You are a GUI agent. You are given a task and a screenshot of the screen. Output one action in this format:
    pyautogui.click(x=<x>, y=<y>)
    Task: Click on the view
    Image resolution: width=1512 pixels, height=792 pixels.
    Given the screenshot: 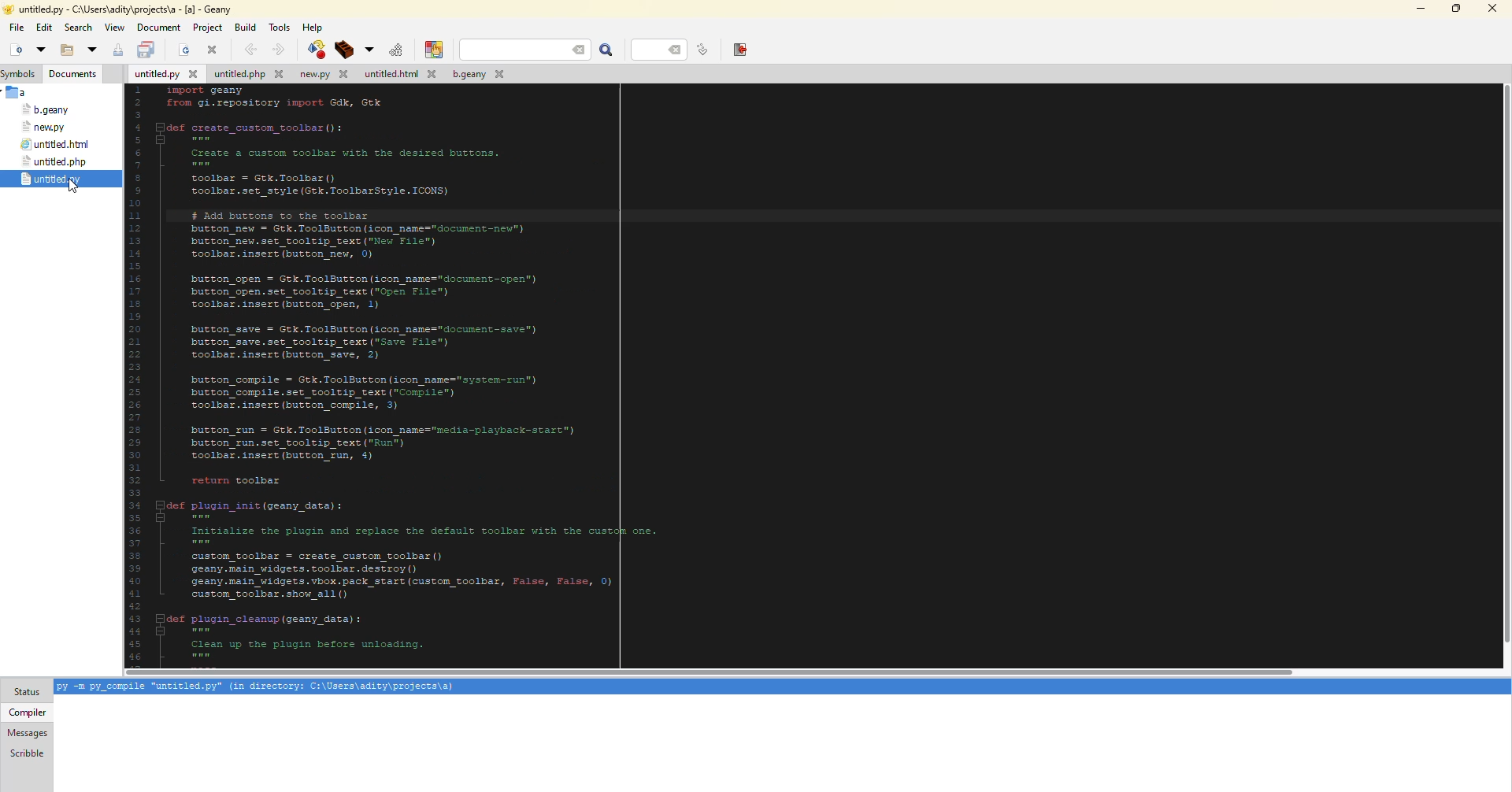 What is the action you would take?
    pyautogui.click(x=115, y=28)
    